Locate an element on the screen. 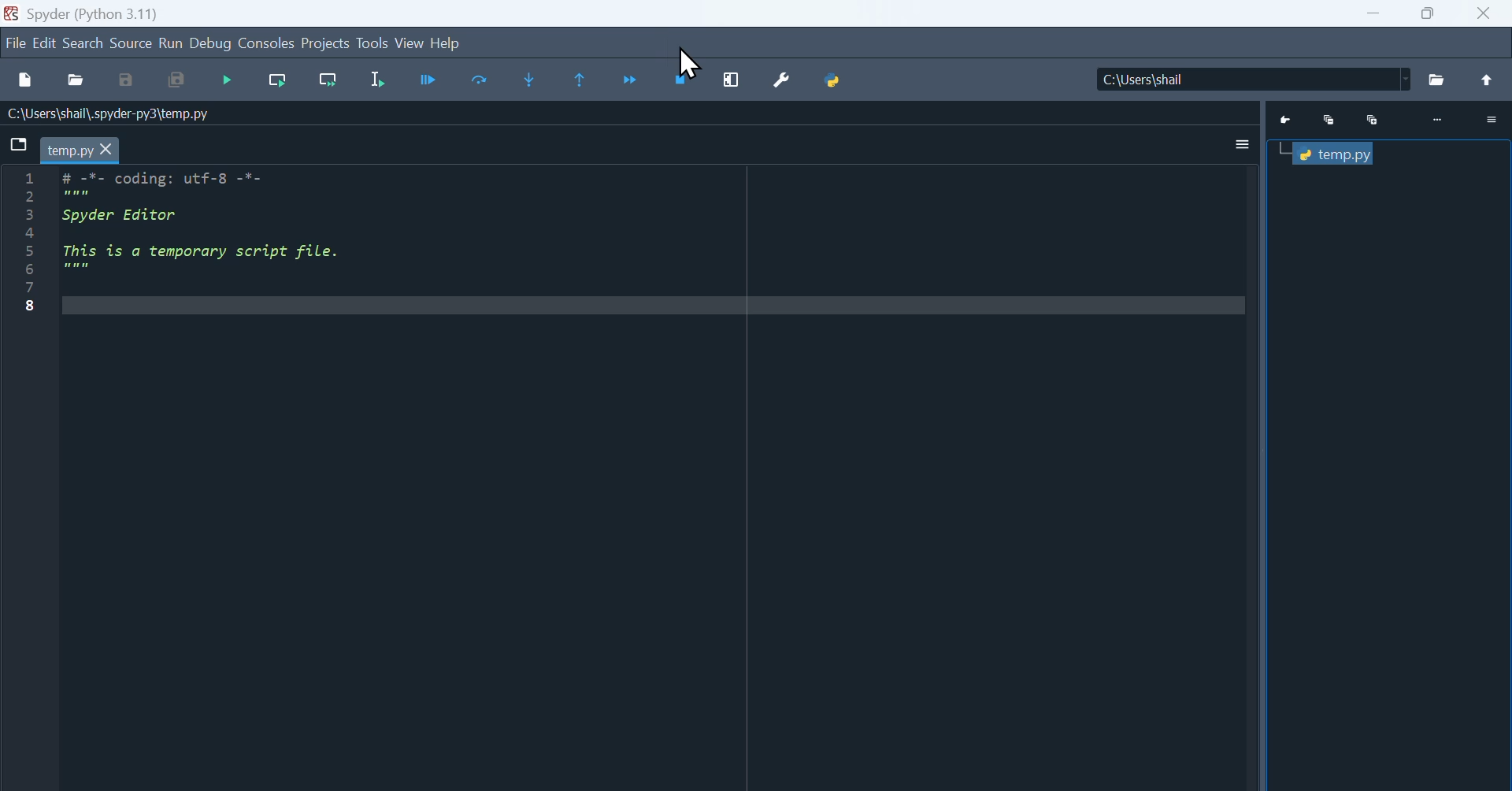  Execute current line is located at coordinates (481, 81).